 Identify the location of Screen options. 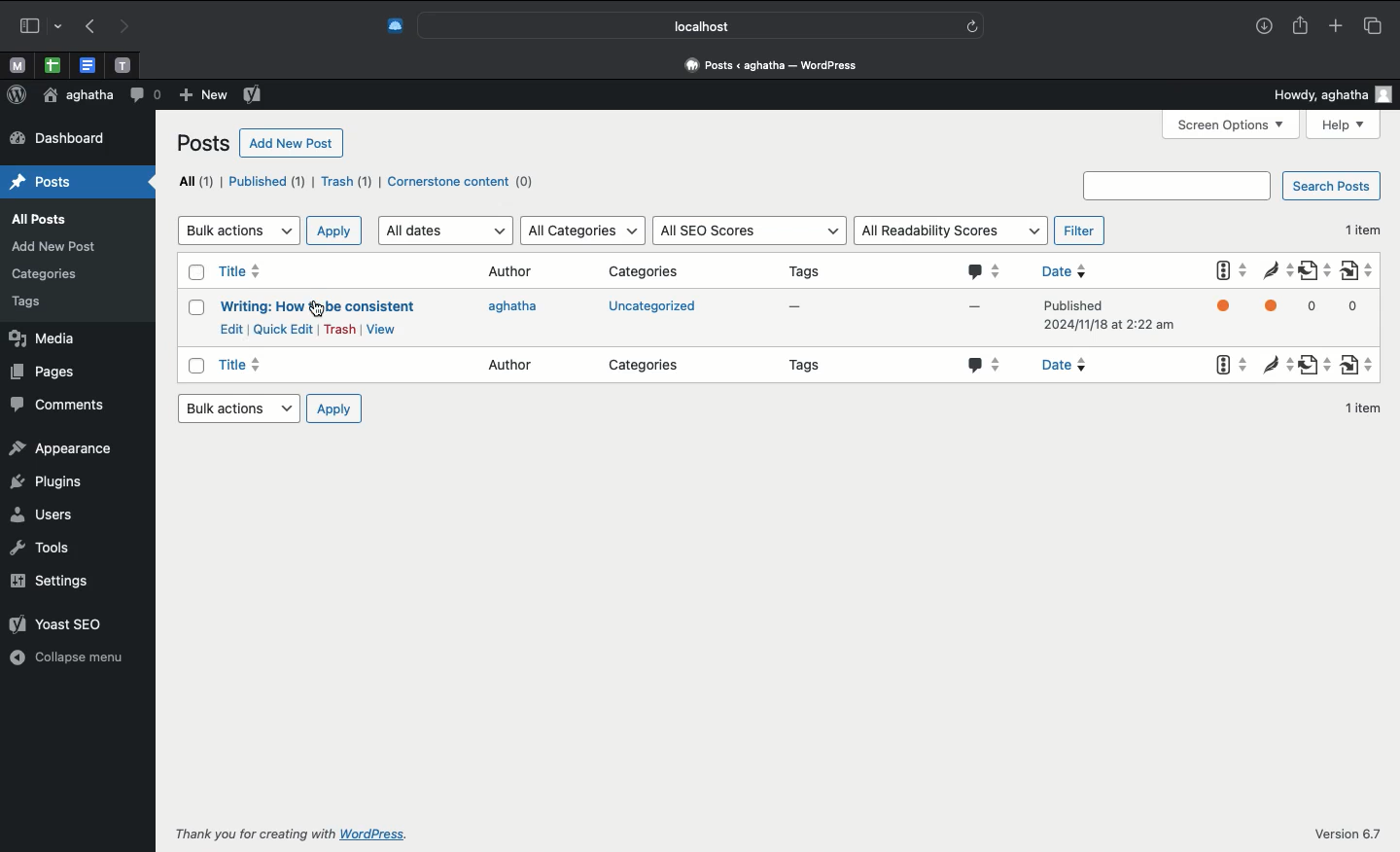
(1232, 124).